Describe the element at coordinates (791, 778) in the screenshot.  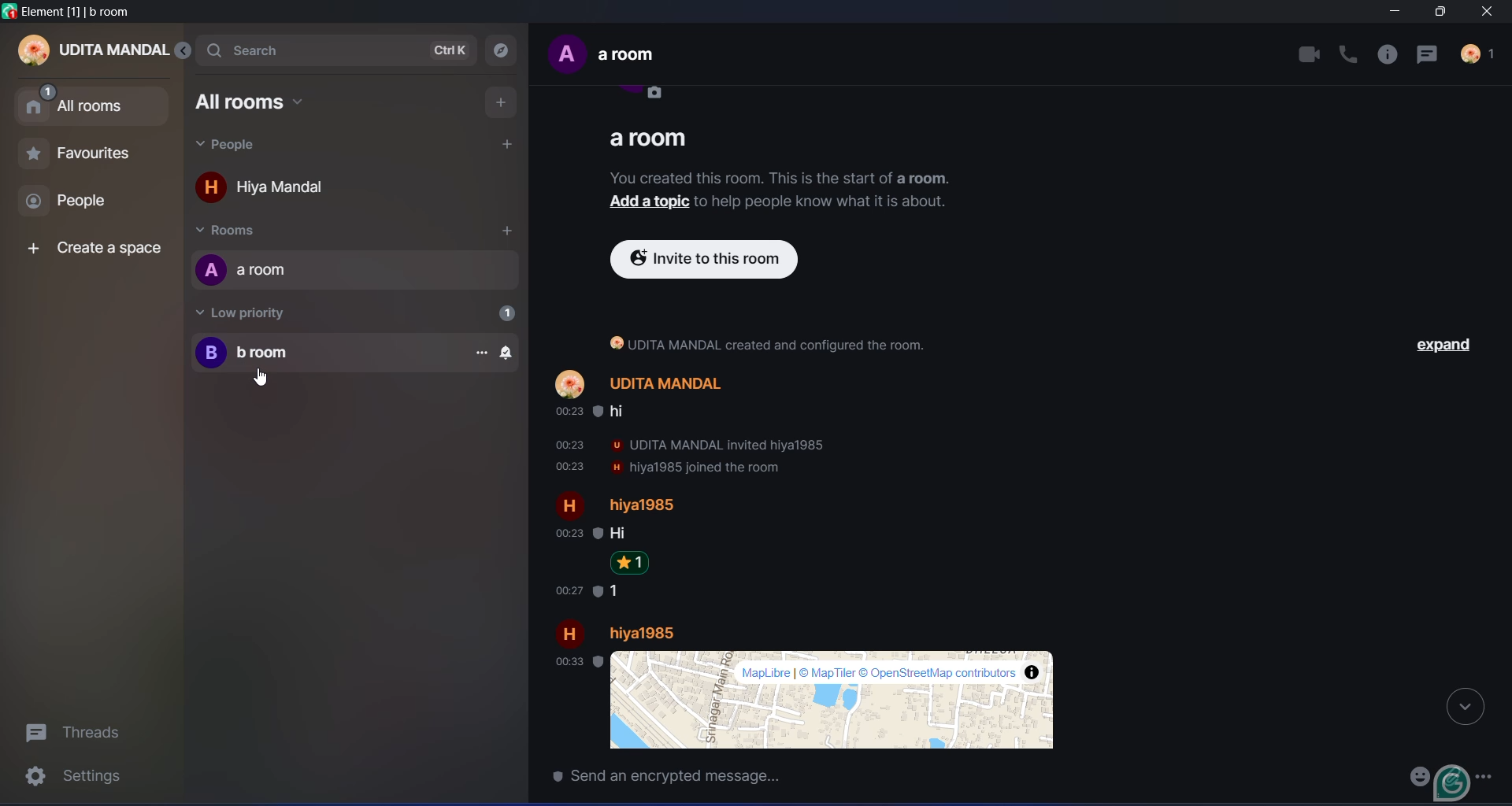
I see `Send an encrypted message...` at that location.